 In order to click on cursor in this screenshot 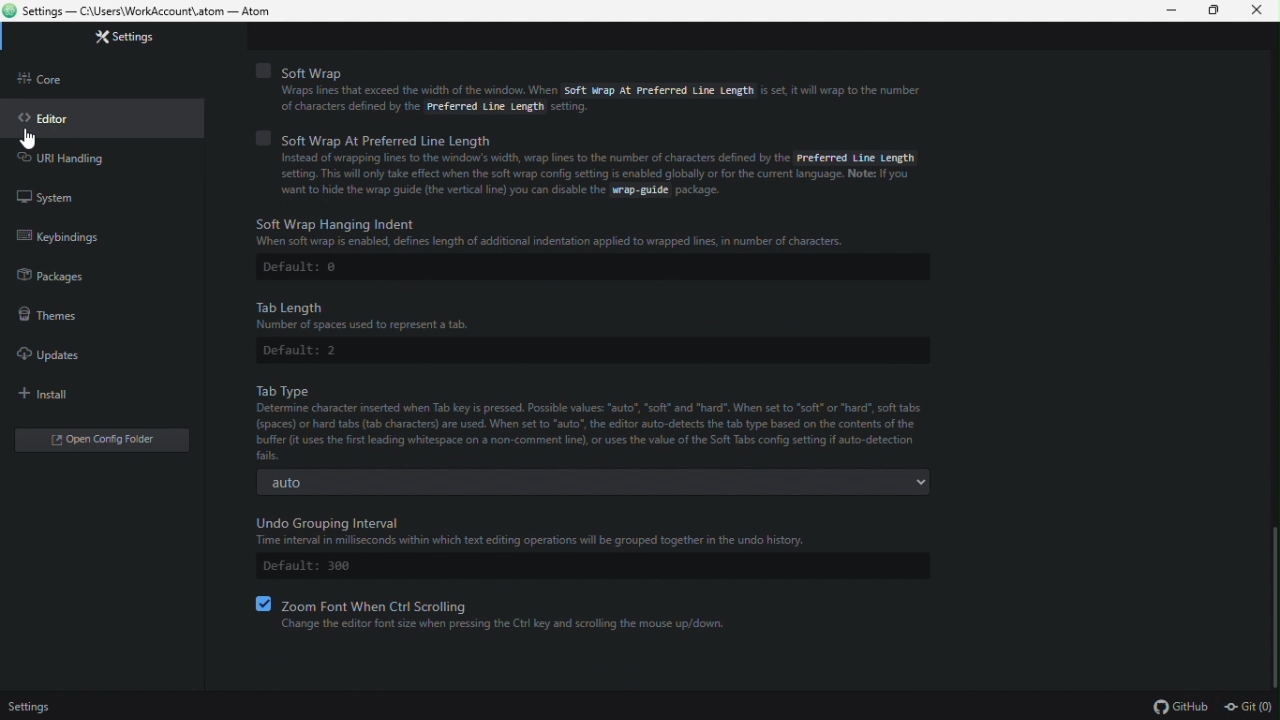, I will do `click(27, 142)`.